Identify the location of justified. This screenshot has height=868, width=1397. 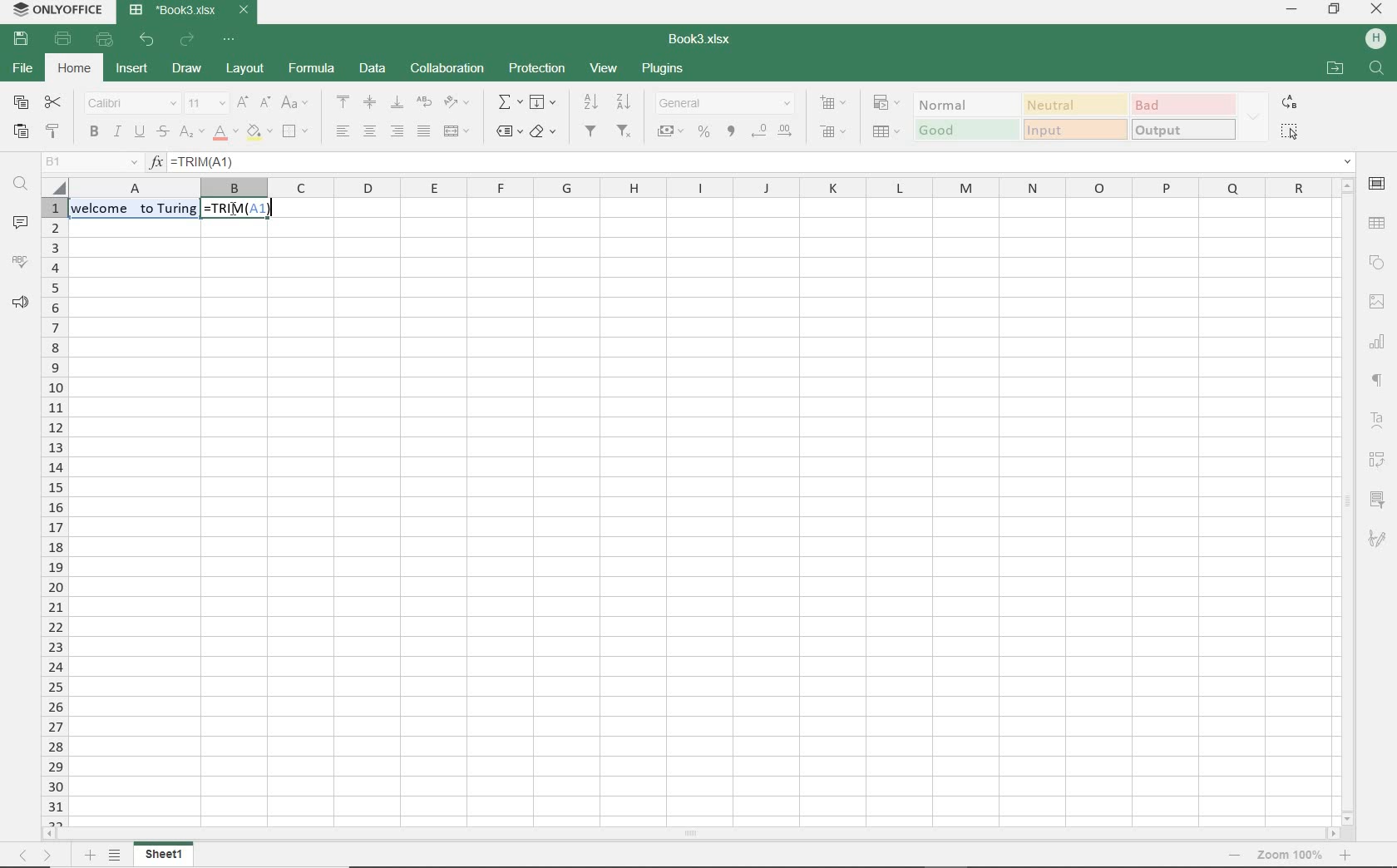
(423, 131).